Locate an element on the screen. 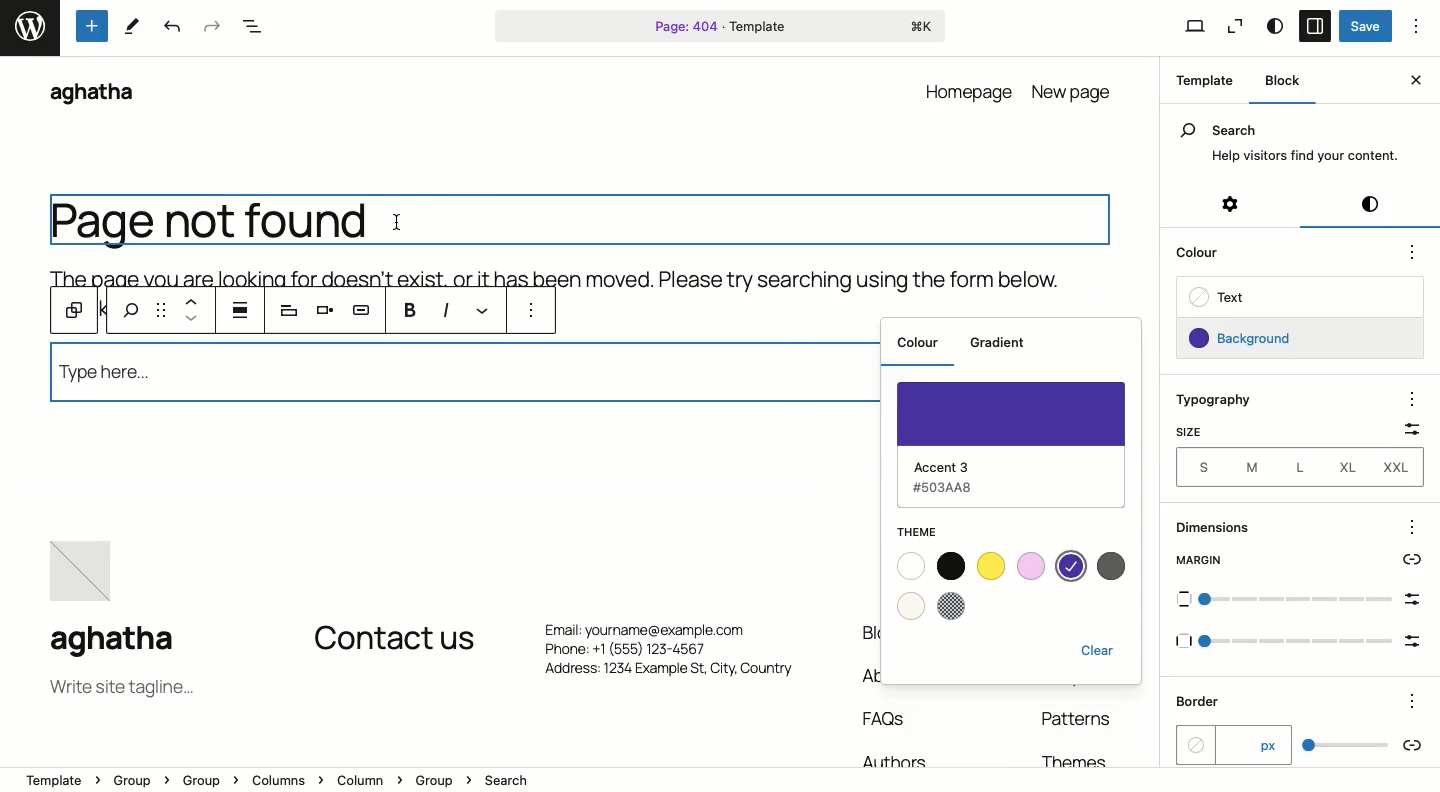  Help visitors find your content. is located at coordinates (1304, 157).